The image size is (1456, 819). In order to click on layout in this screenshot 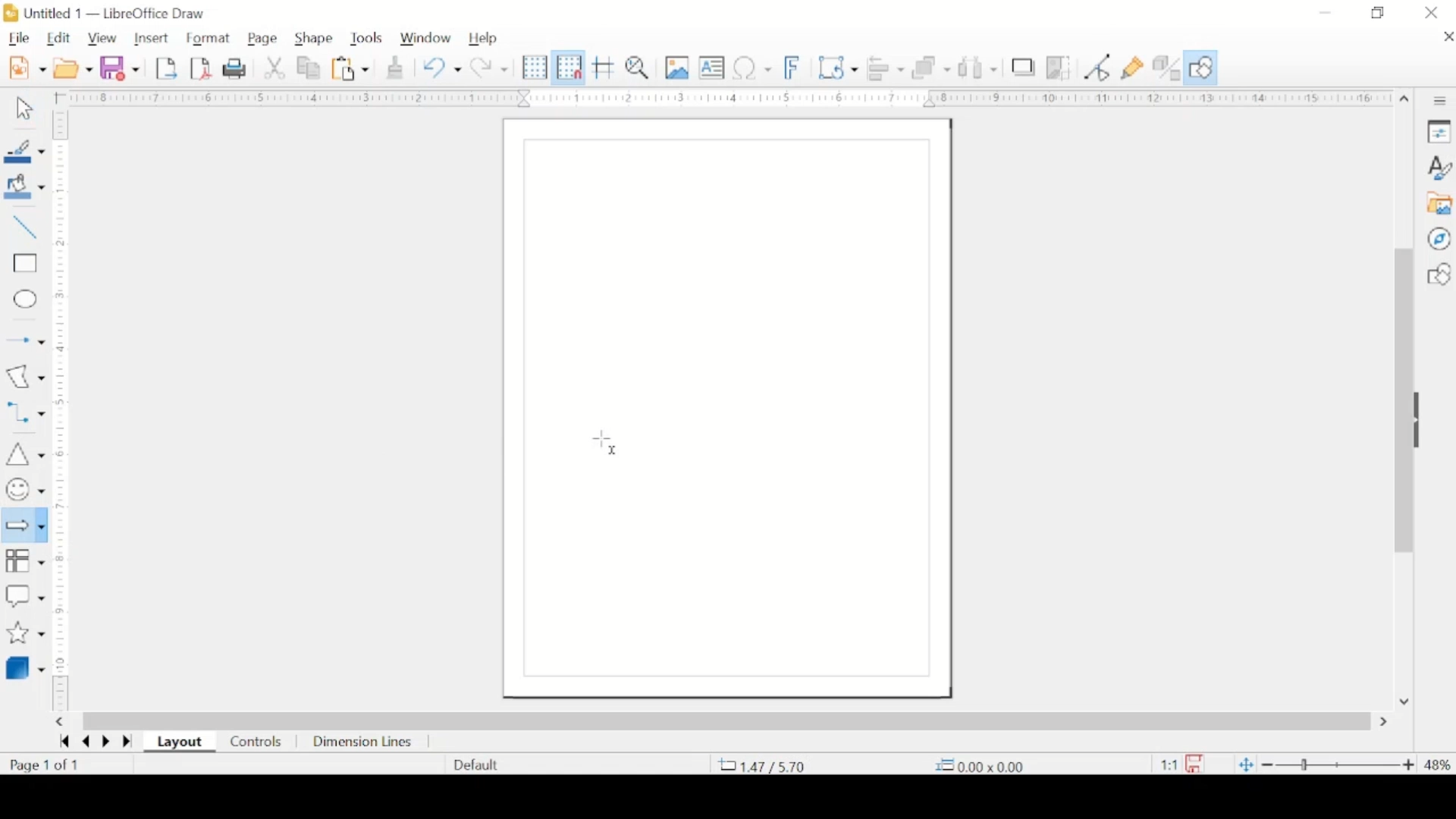, I will do `click(180, 742)`.